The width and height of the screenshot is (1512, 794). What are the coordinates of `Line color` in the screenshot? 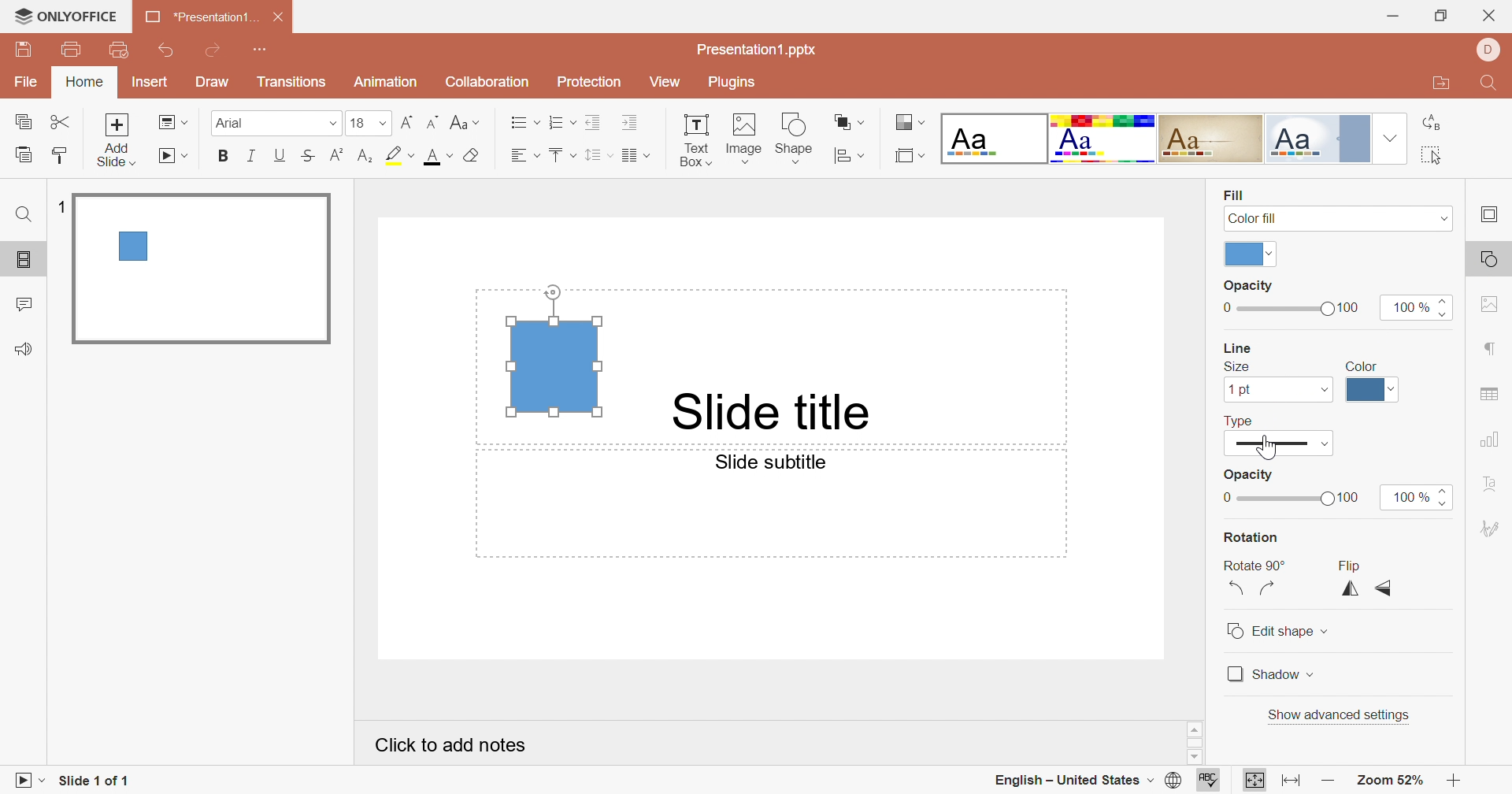 It's located at (1371, 391).